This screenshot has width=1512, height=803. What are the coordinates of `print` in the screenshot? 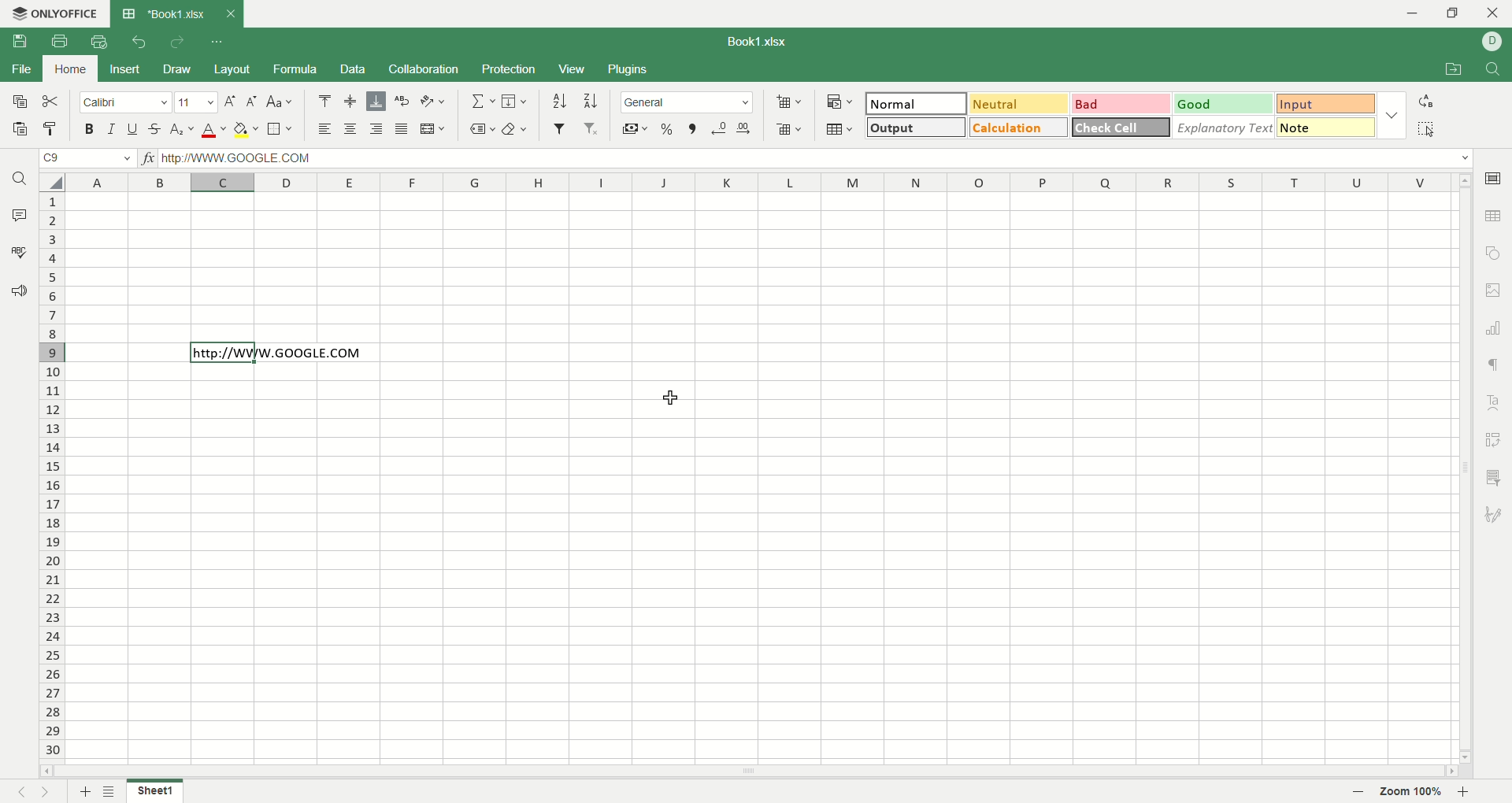 It's located at (57, 41).